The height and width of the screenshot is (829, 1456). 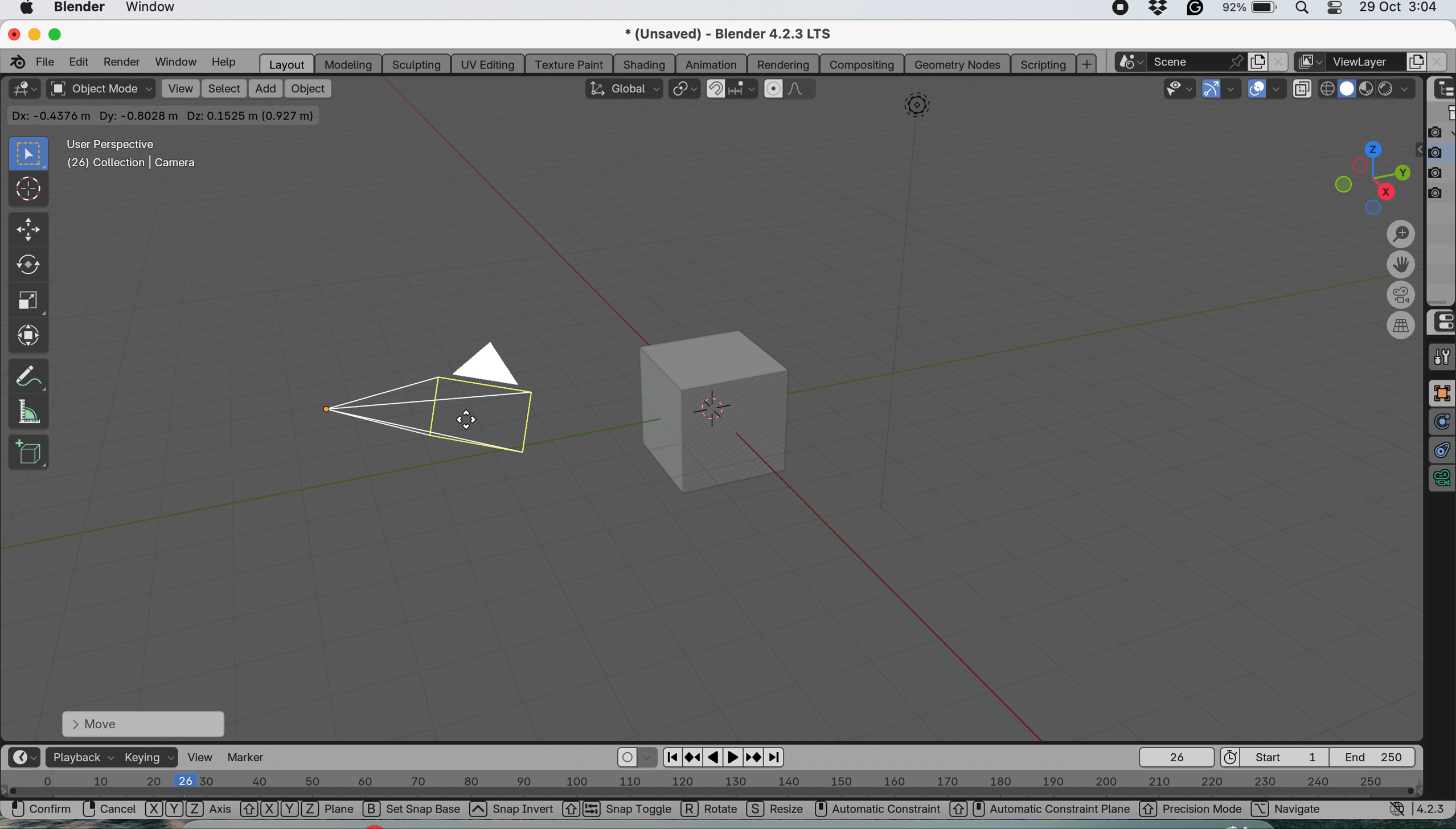 I want to click on edit, so click(x=81, y=61).